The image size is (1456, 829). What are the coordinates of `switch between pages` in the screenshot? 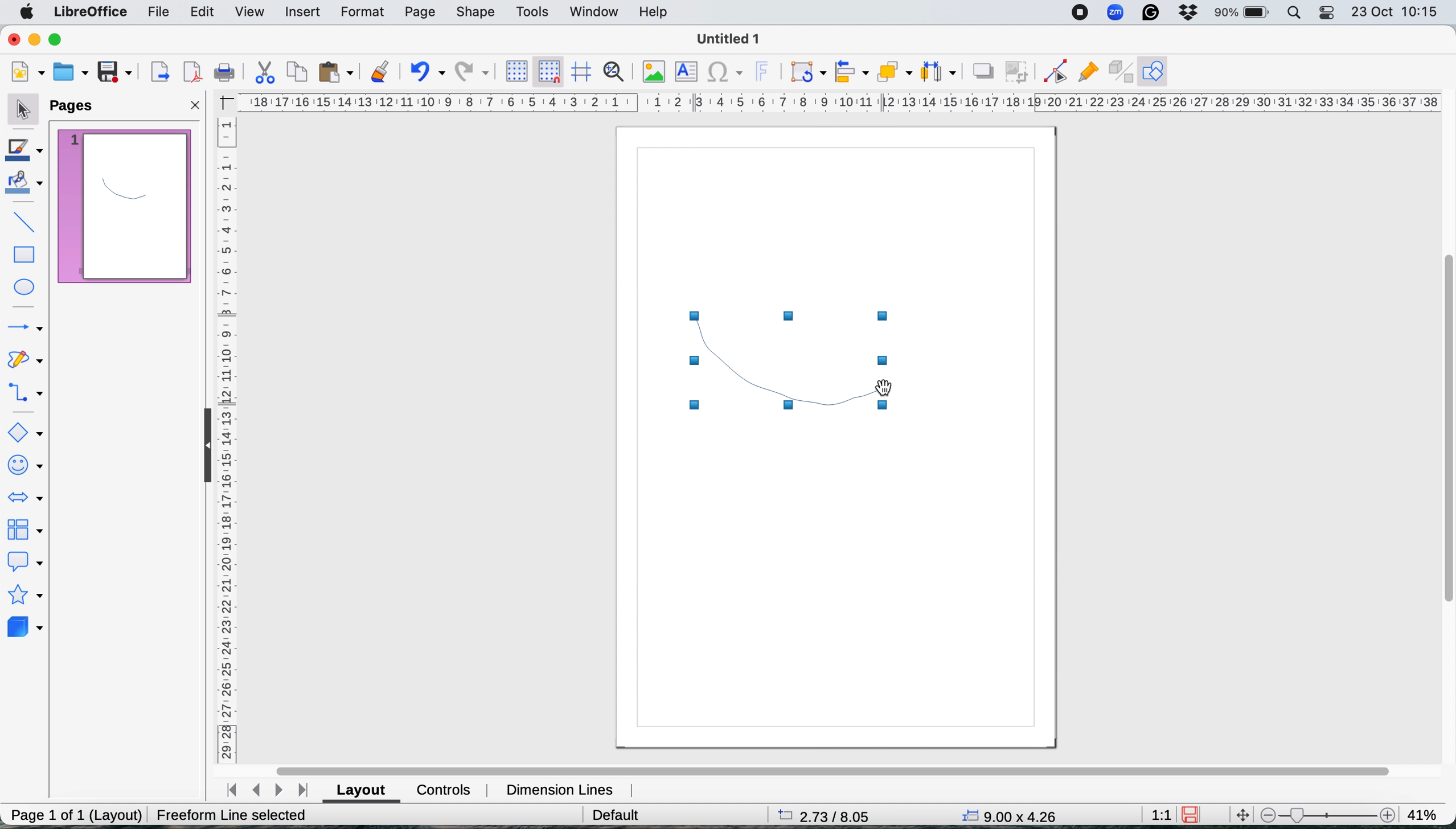 It's located at (268, 788).